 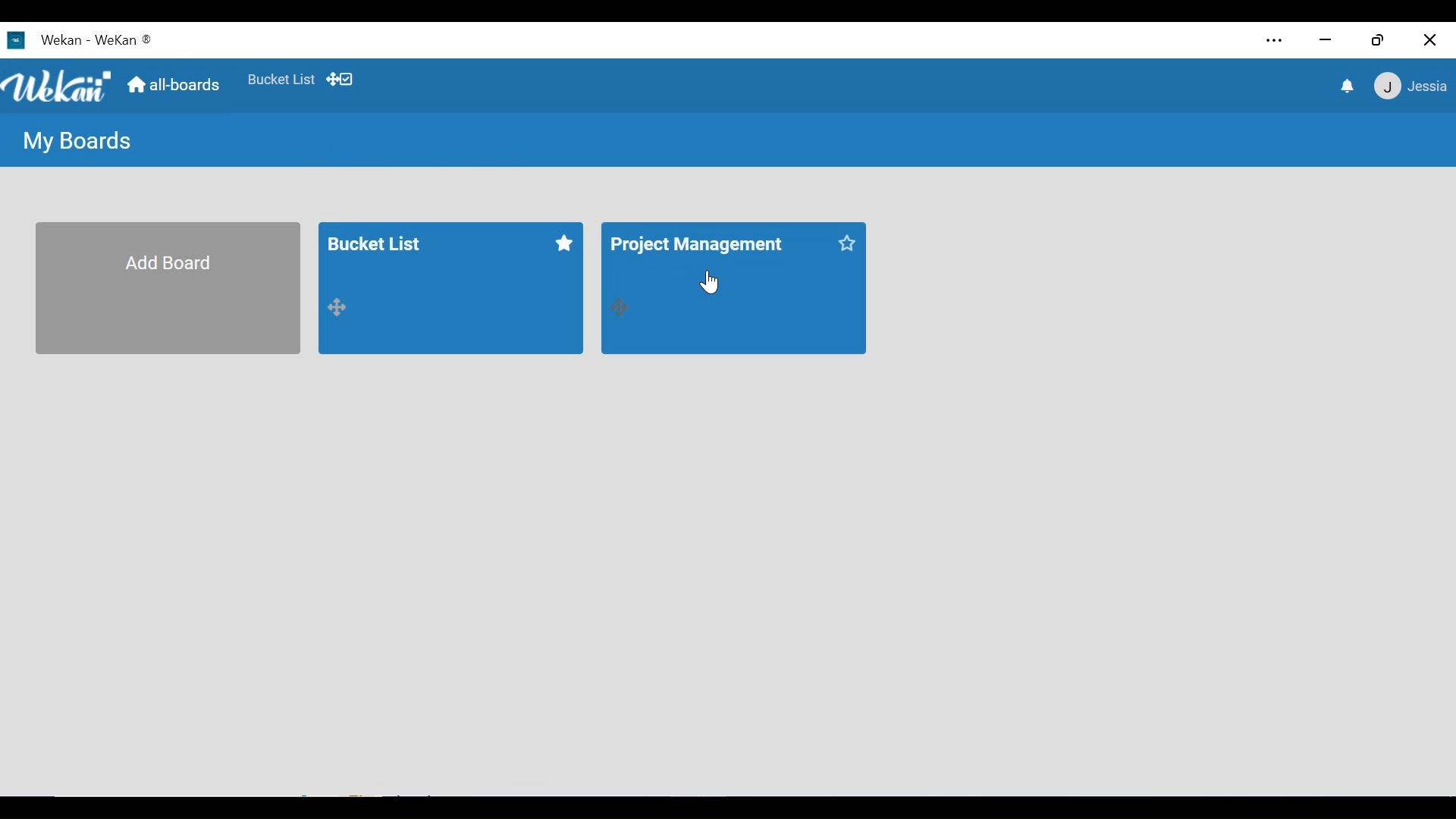 I want to click on notifications, so click(x=1344, y=88).